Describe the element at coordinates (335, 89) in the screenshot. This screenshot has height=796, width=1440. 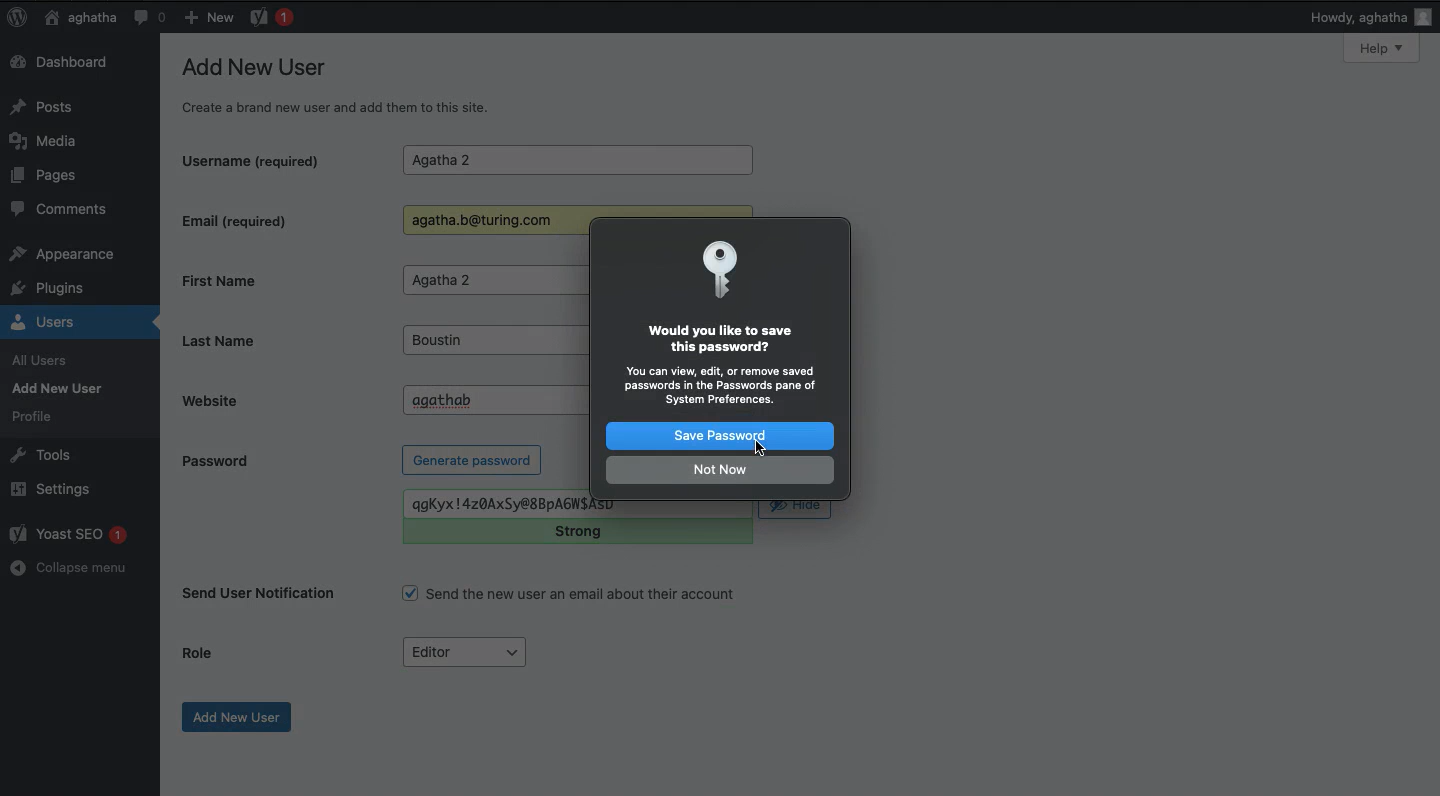
I see `Add New User Create a brand new user and add them to this site.` at that location.